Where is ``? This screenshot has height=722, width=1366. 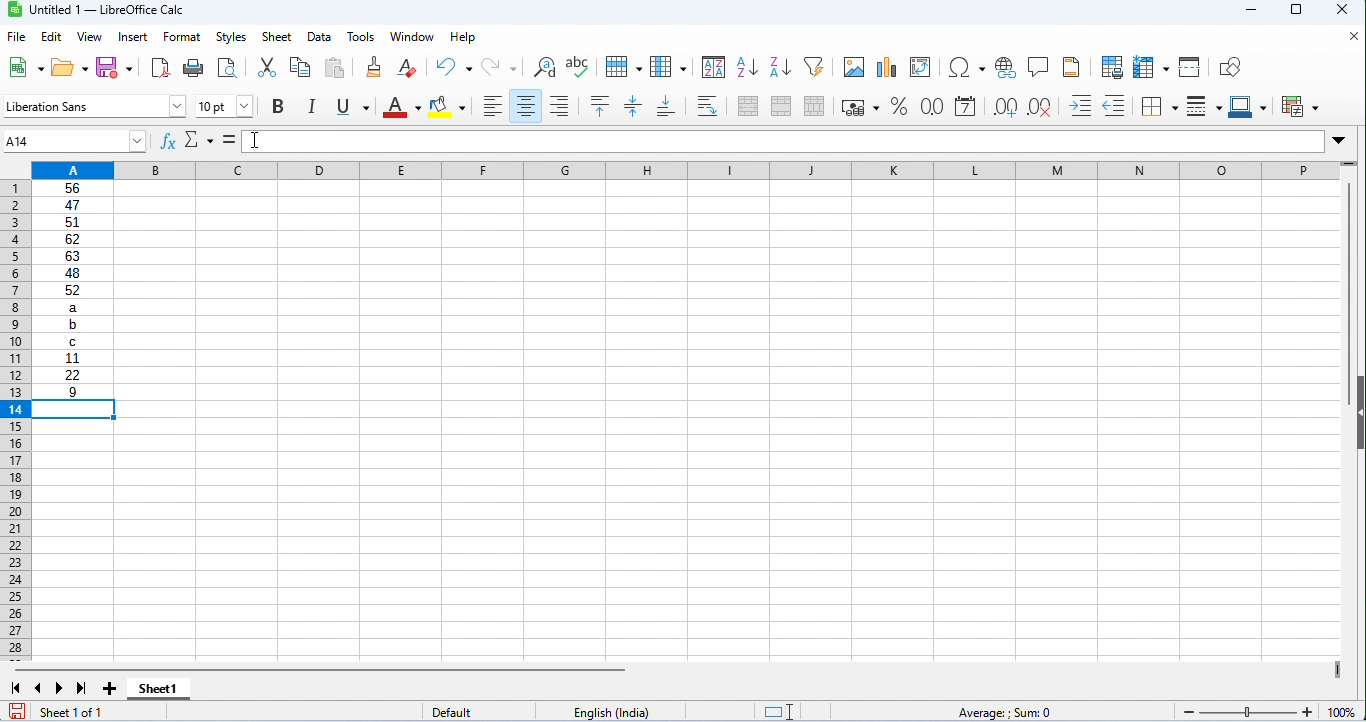
 is located at coordinates (1005, 68).